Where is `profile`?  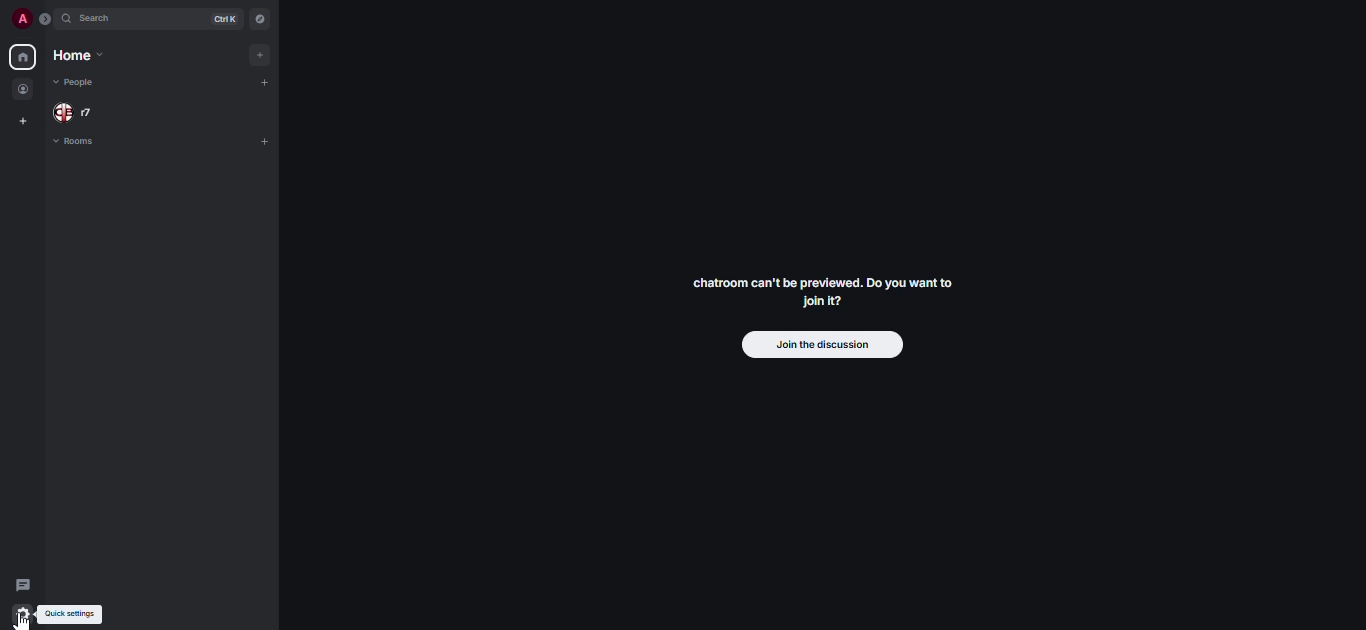
profile is located at coordinates (17, 21).